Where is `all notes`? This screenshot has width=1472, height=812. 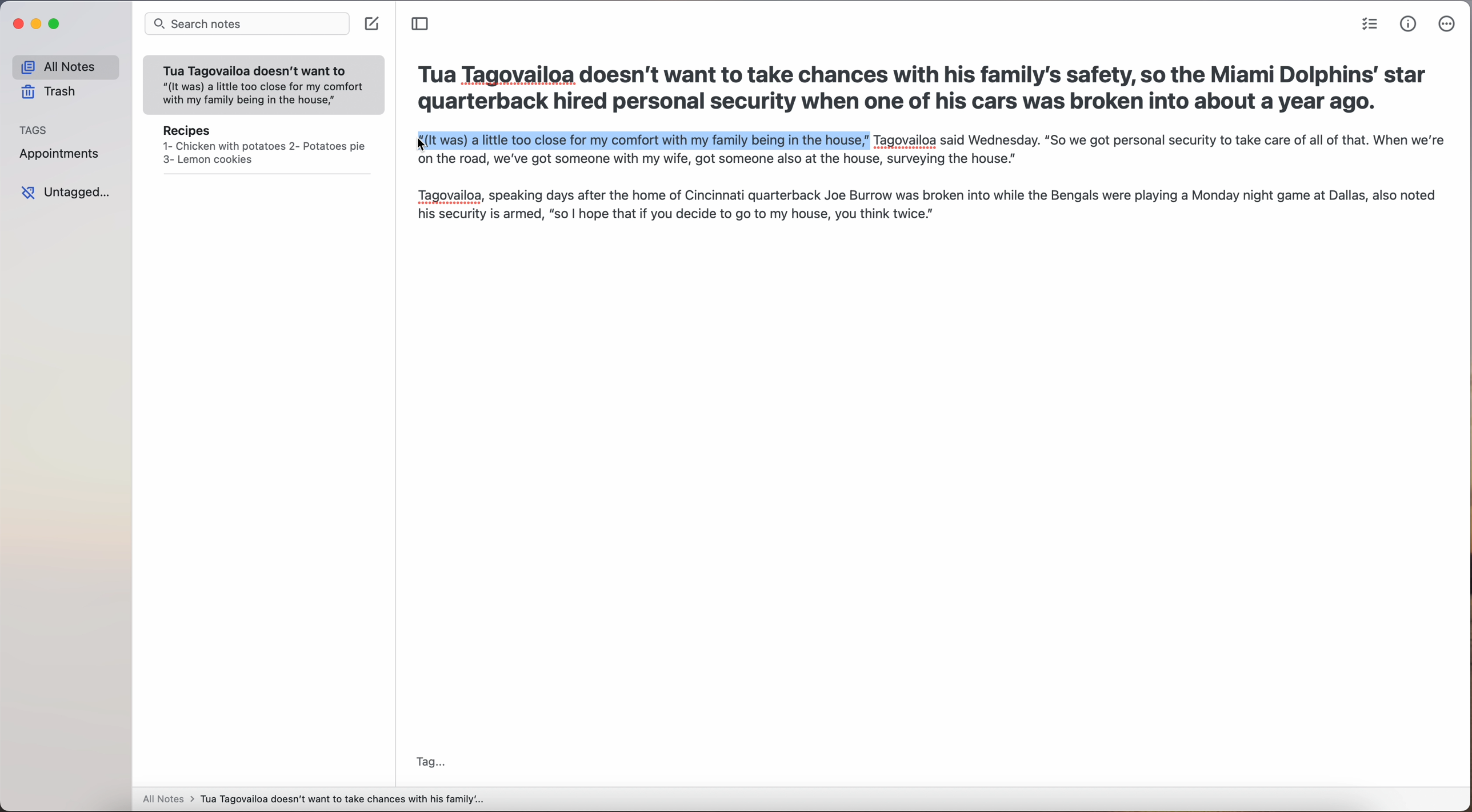 all notes is located at coordinates (65, 66).